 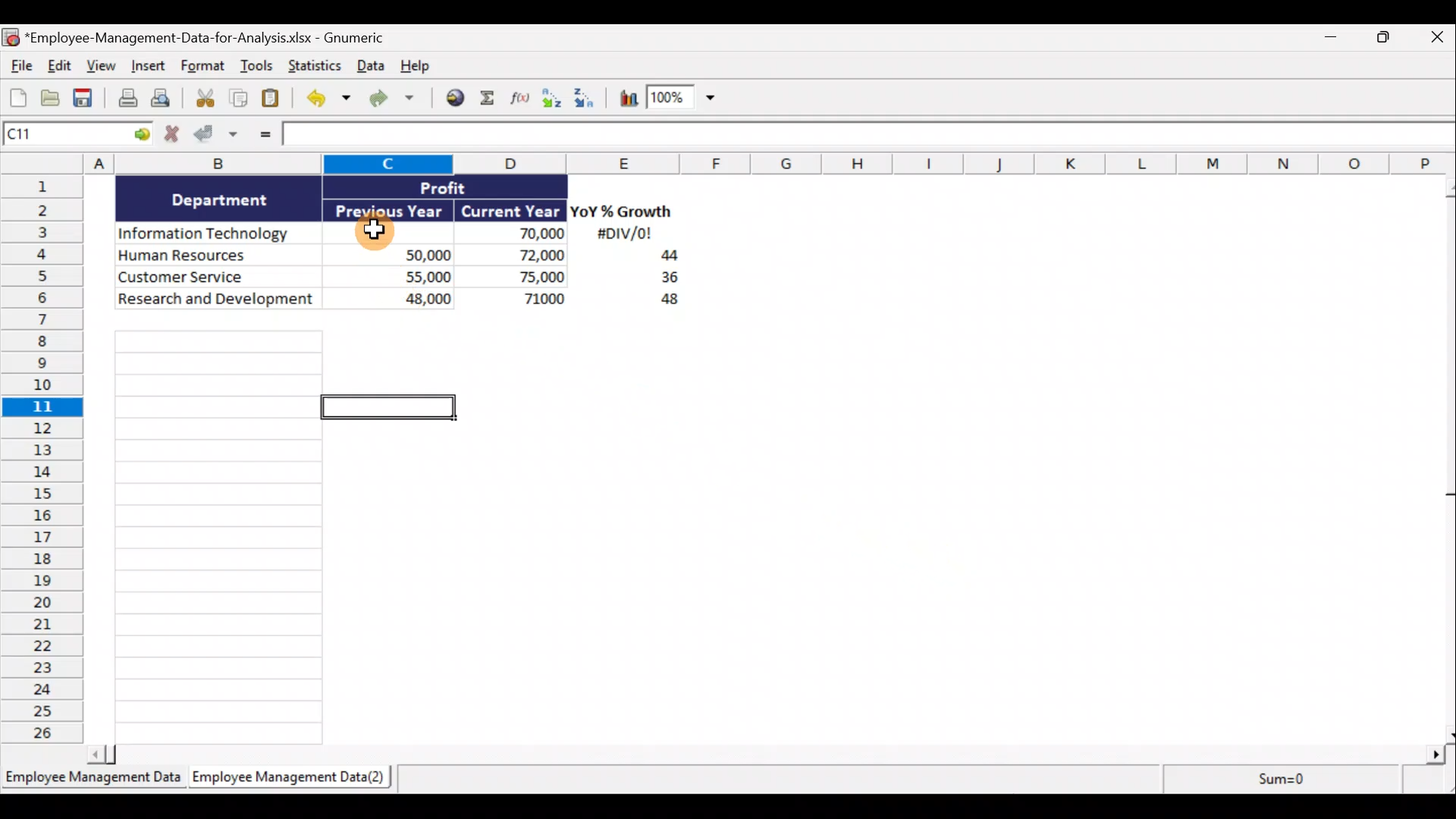 What do you see at coordinates (397, 254) in the screenshot?
I see `50,000` at bounding box center [397, 254].